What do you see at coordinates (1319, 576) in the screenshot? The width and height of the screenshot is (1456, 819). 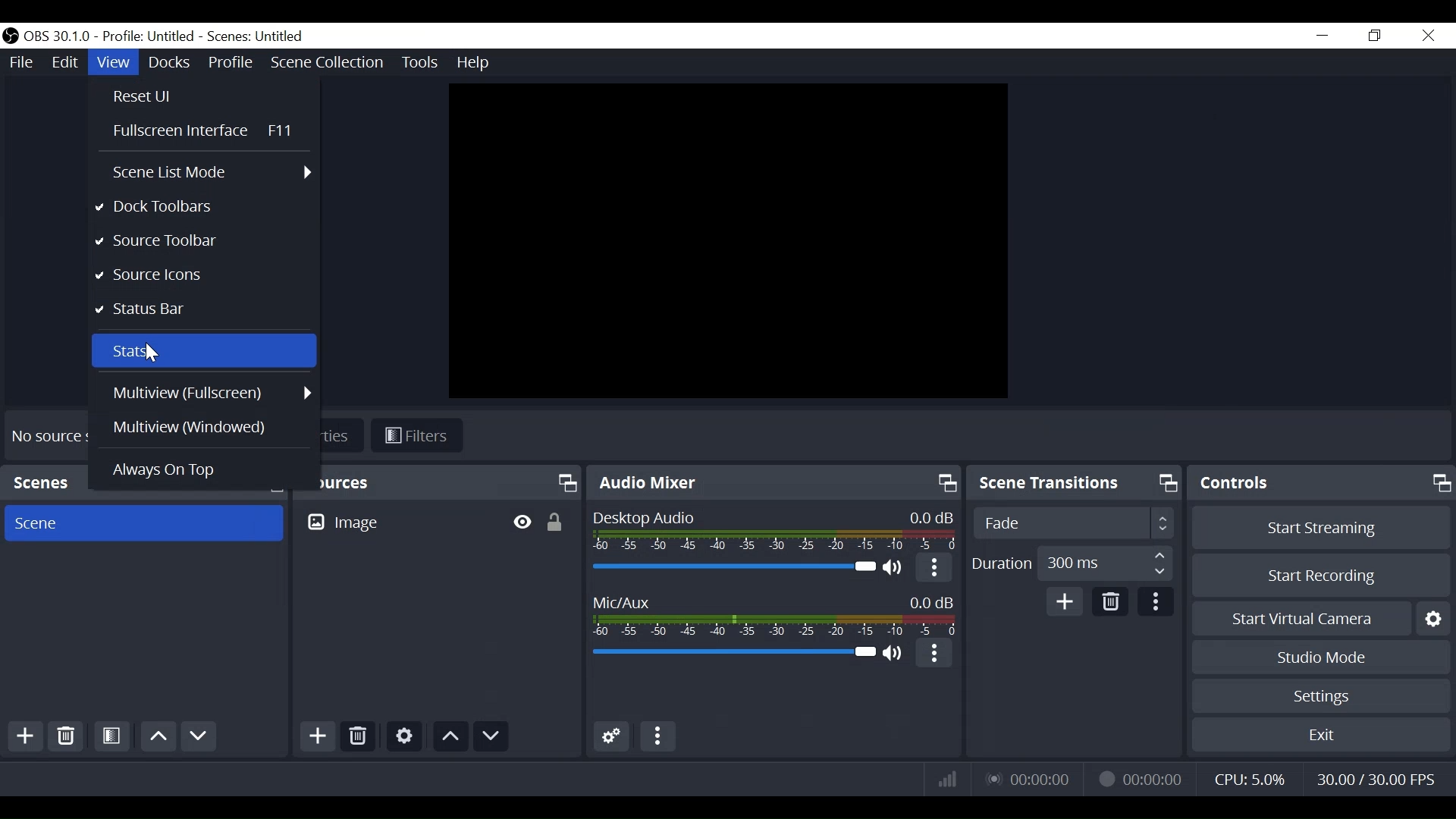 I see `Start Recording` at bounding box center [1319, 576].